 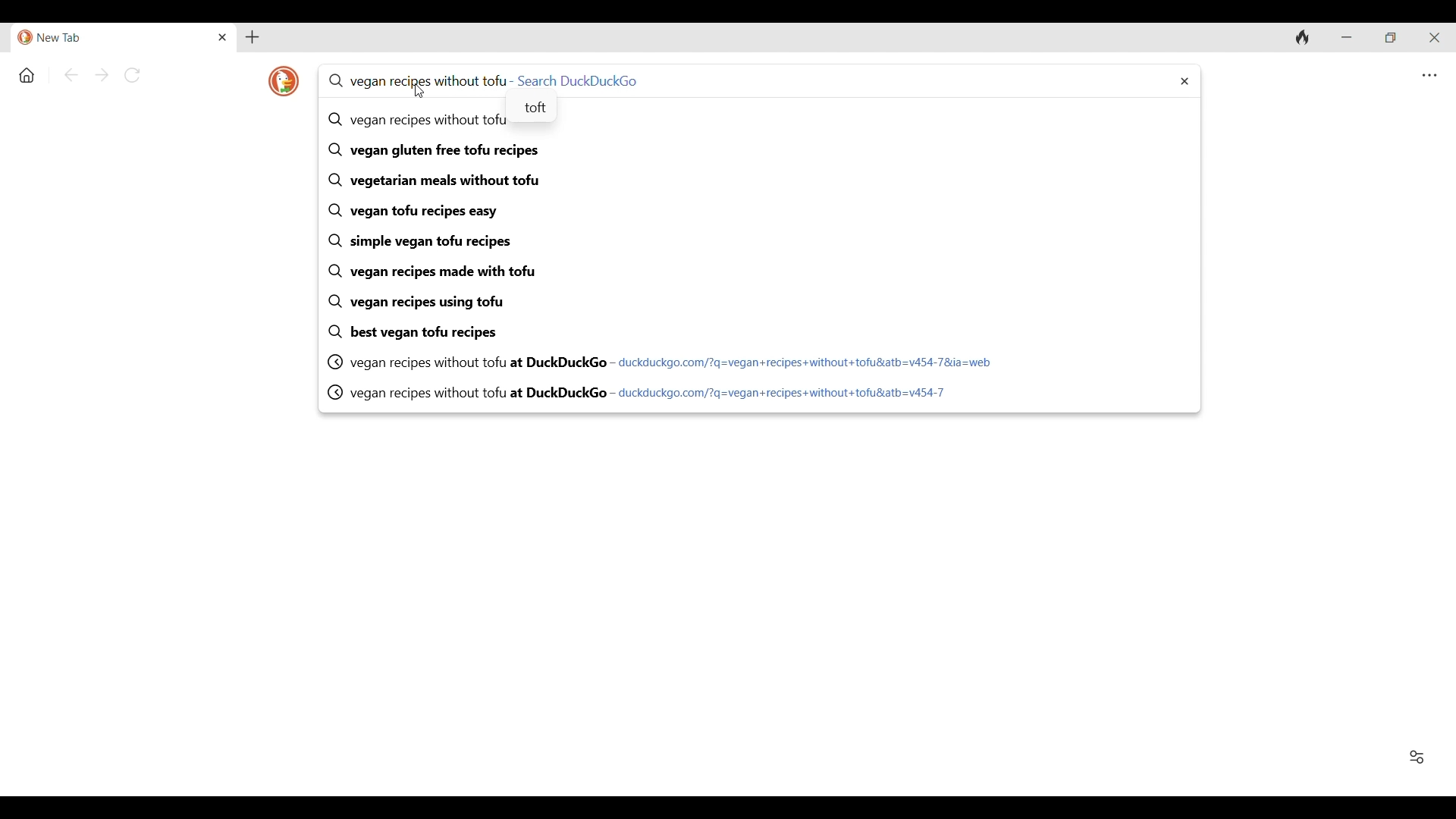 I want to click on toft, so click(x=535, y=108).